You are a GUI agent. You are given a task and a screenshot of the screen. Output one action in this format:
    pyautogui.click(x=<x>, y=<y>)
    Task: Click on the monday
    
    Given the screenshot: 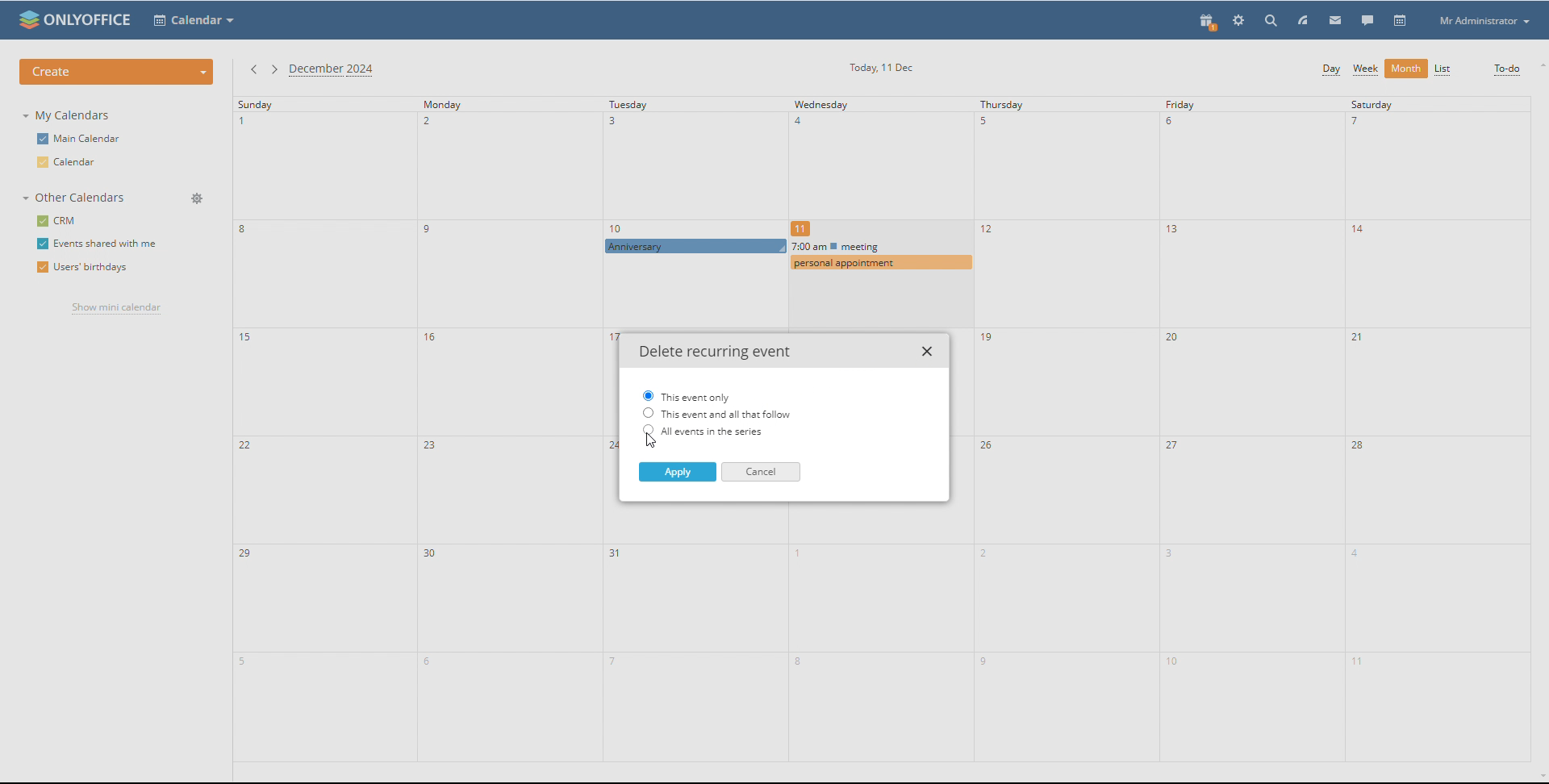 What is the action you would take?
    pyautogui.click(x=509, y=429)
    